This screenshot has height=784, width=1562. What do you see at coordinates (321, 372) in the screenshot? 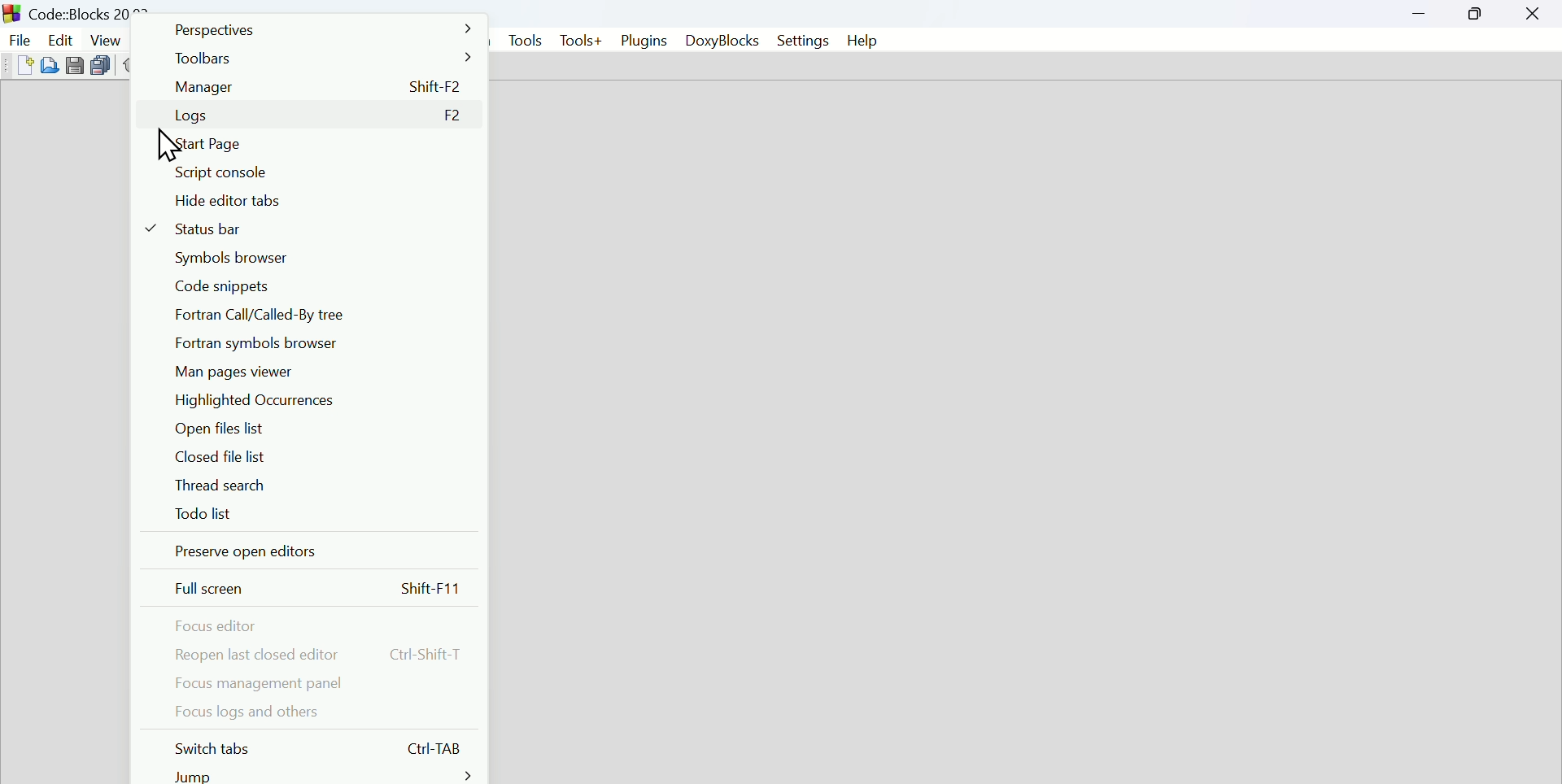
I see `Main pages viewer` at bounding box center [321, 372].